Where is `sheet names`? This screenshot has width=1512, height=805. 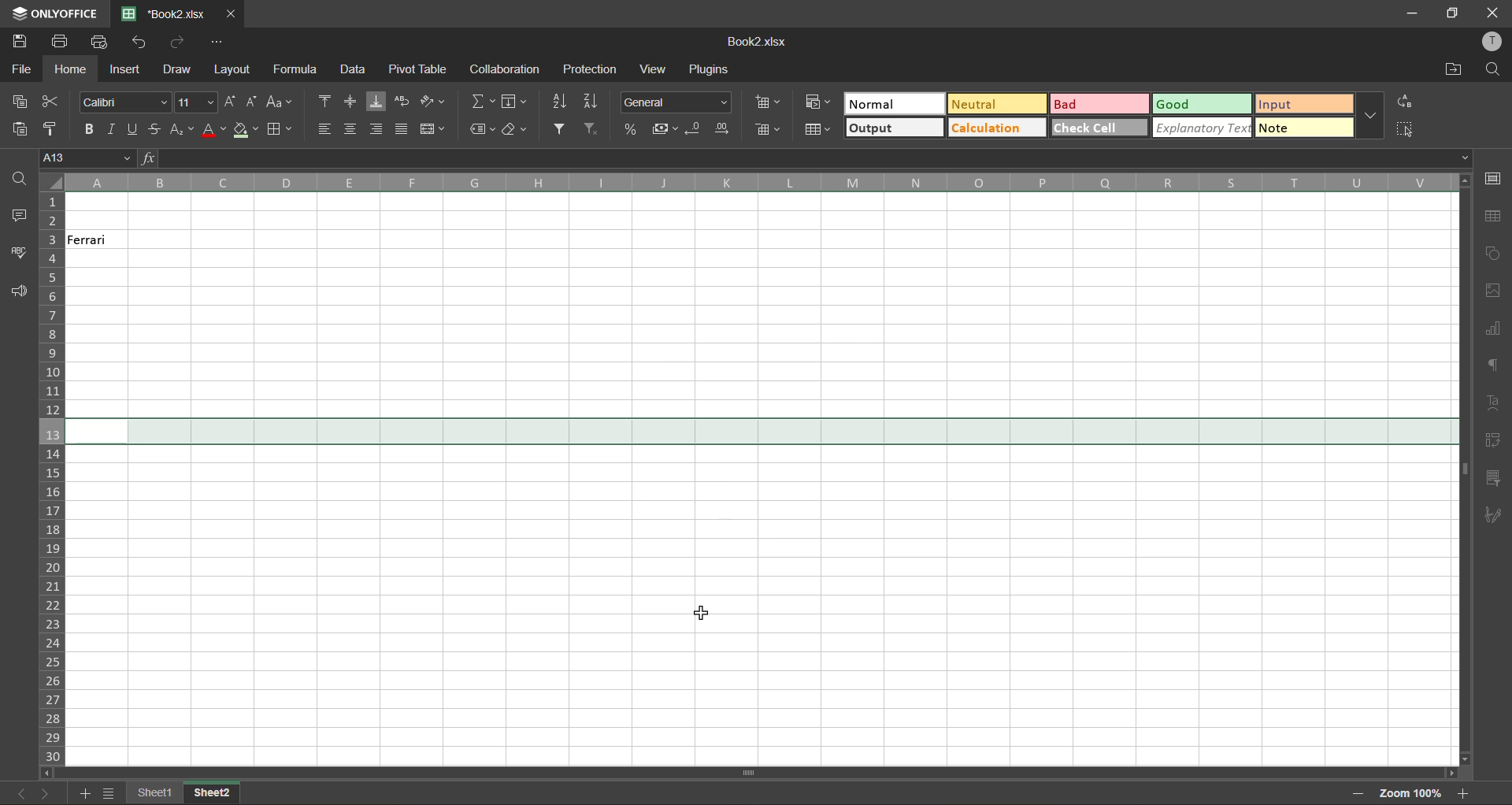 sheet names is located at coordinates (158, 793).